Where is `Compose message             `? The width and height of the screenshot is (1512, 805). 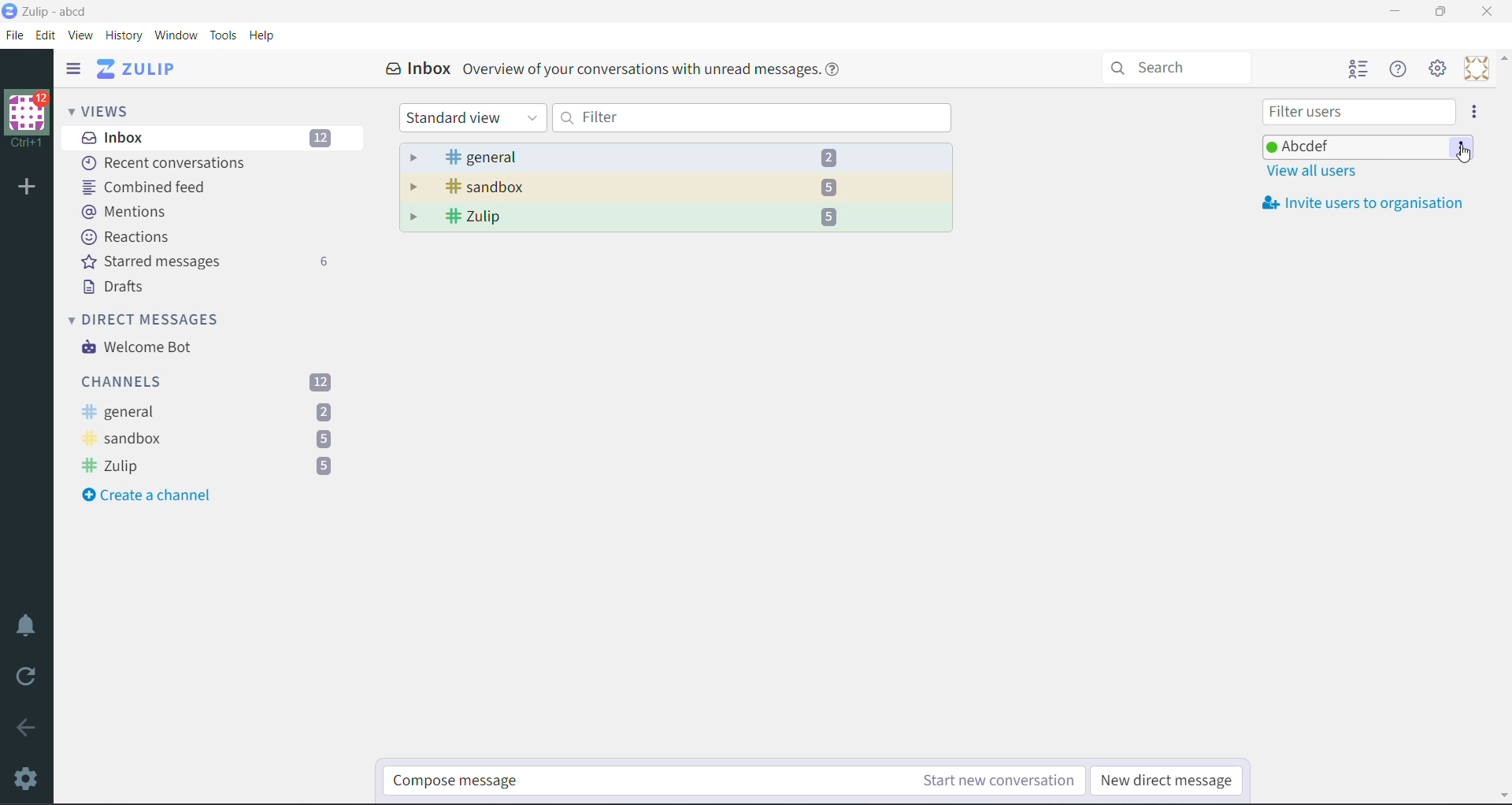 Compose message              is located at coordinates (602, 782).